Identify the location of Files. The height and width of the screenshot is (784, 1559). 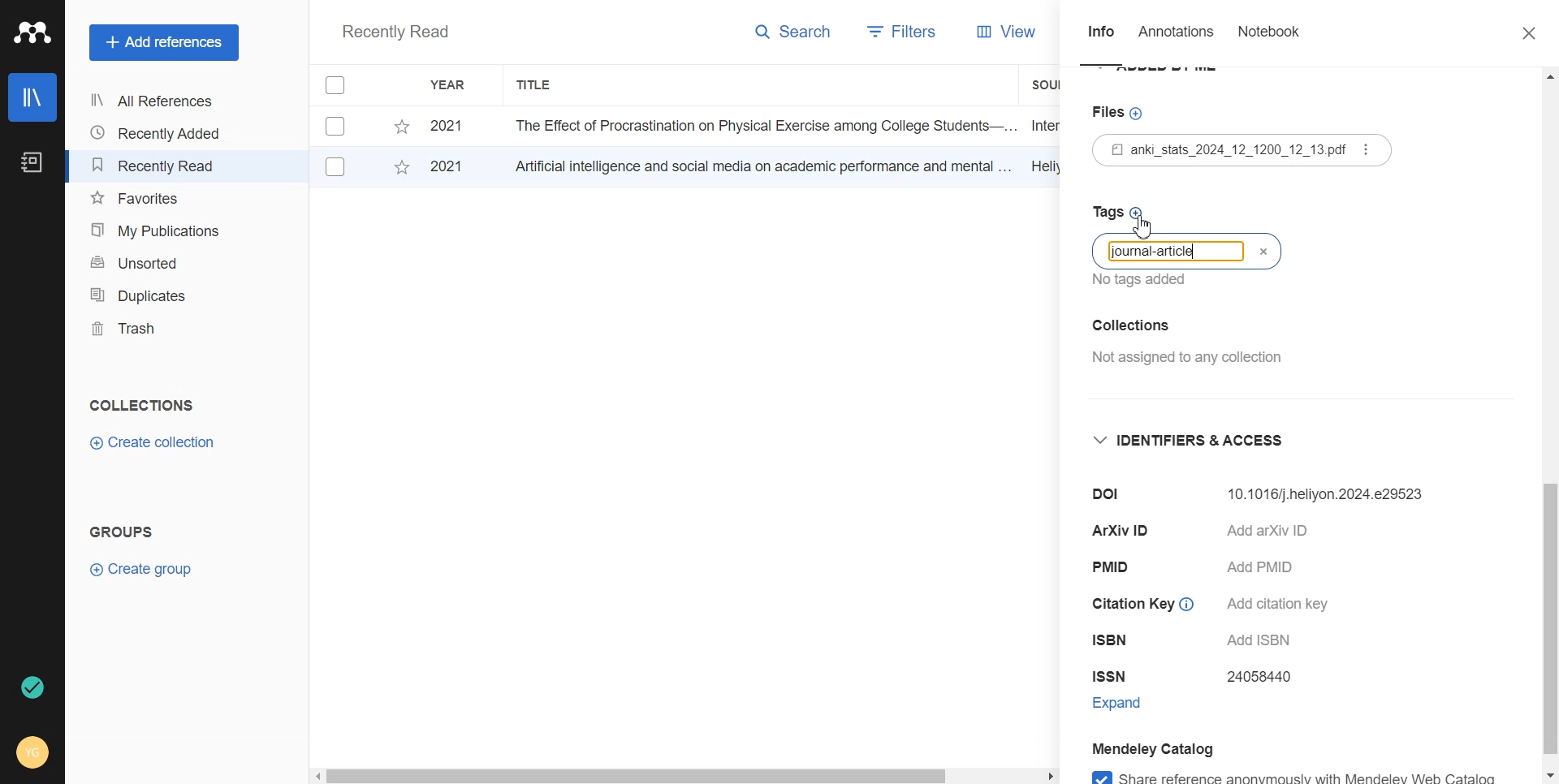
(1249, 153).